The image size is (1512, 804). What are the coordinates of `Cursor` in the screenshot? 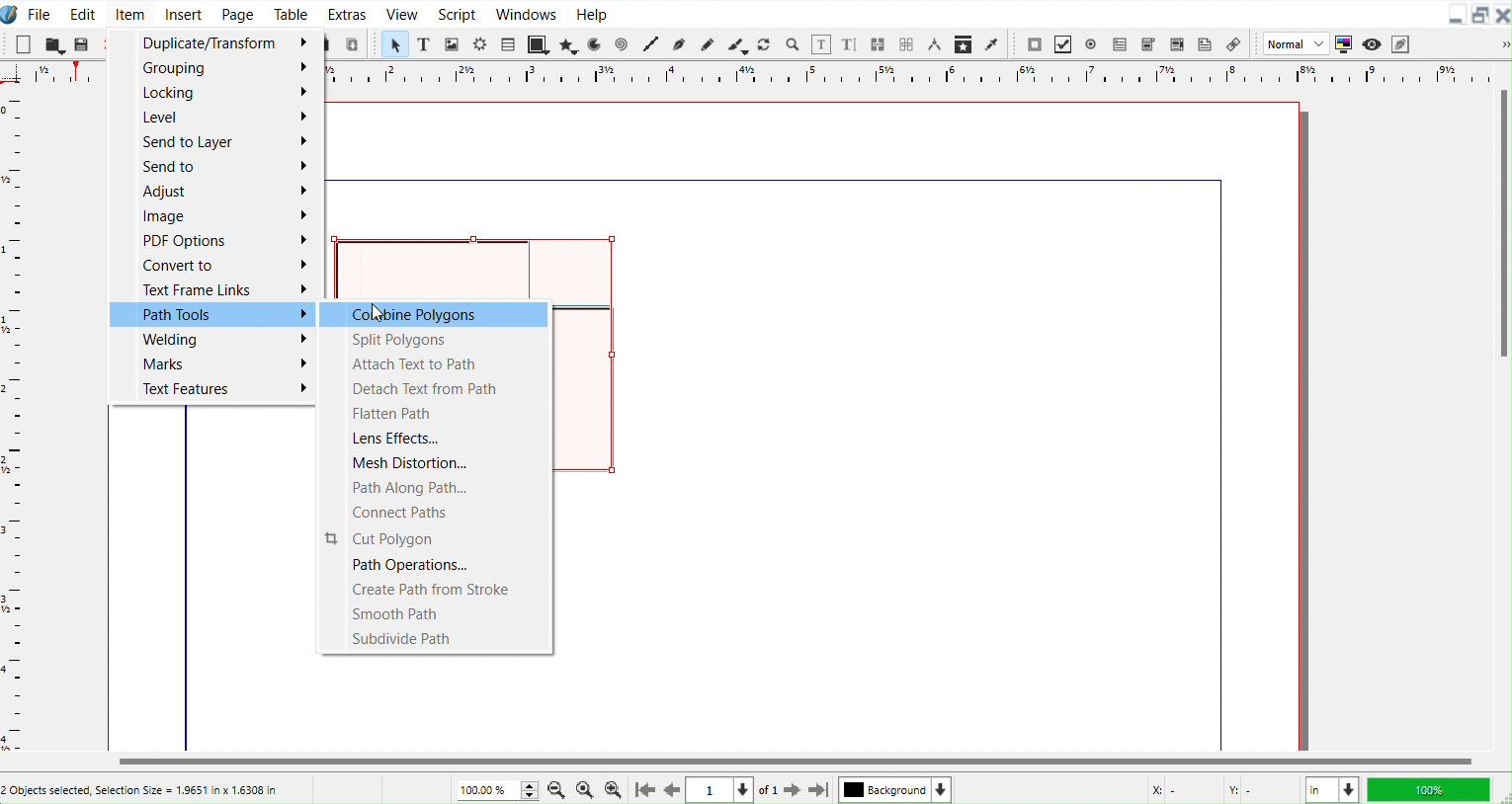 It's located at (378, 313).